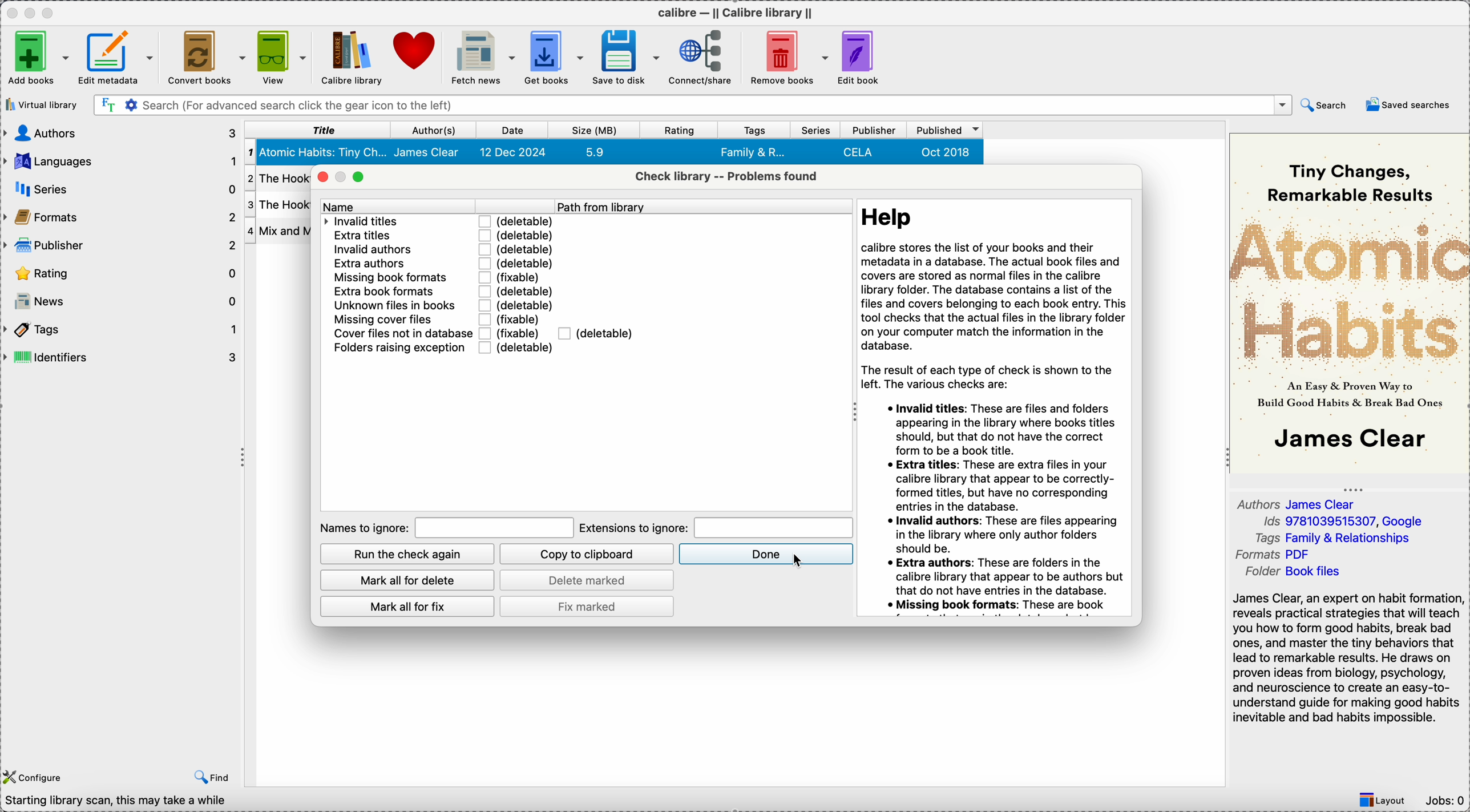 This screenshot has height=812, width=1470. Describe the element at coordinates (1342, 522) in the screenshot. I see `ads` at that location.